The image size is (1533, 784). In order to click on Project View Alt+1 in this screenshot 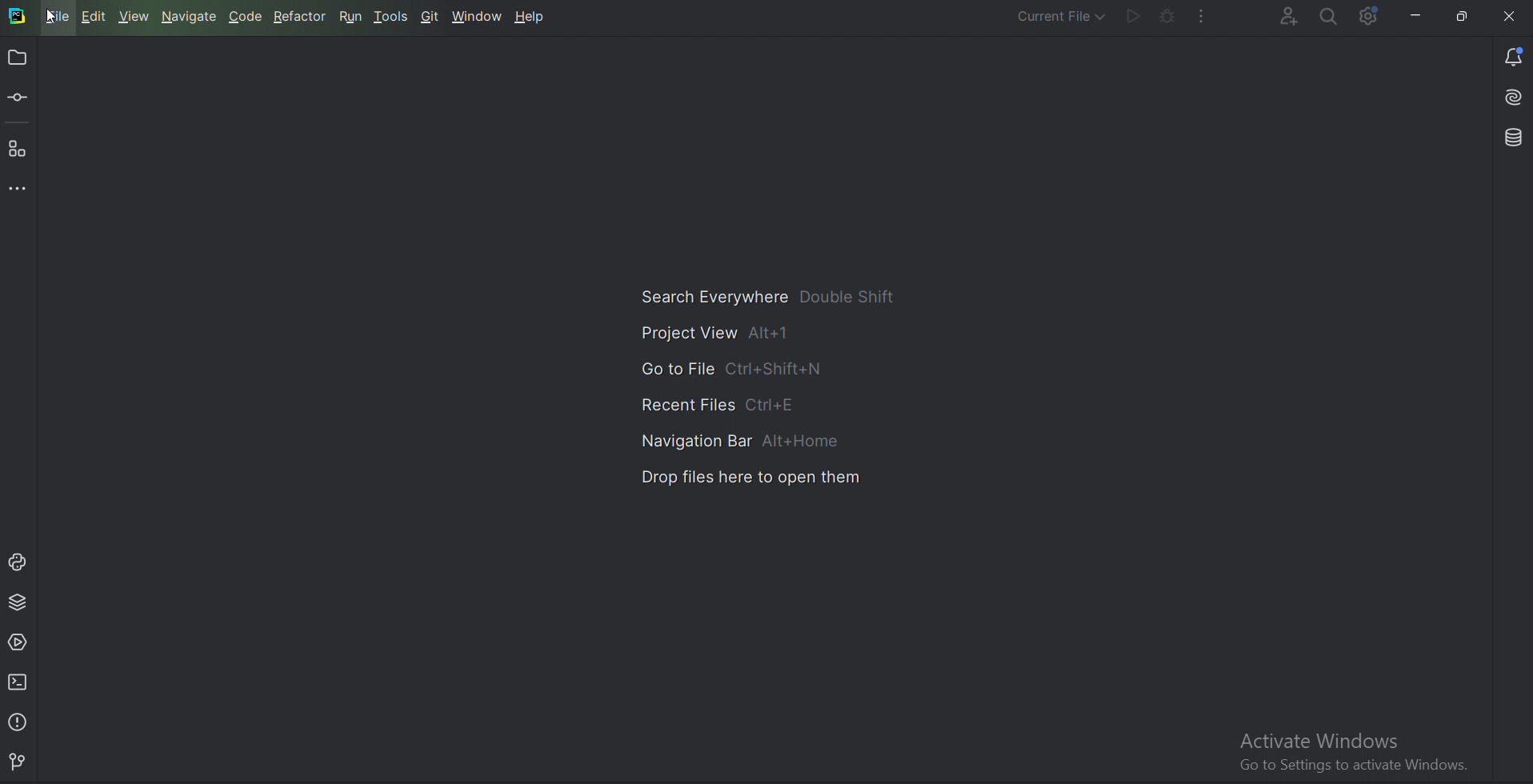, I will do `click(723, 334)`.